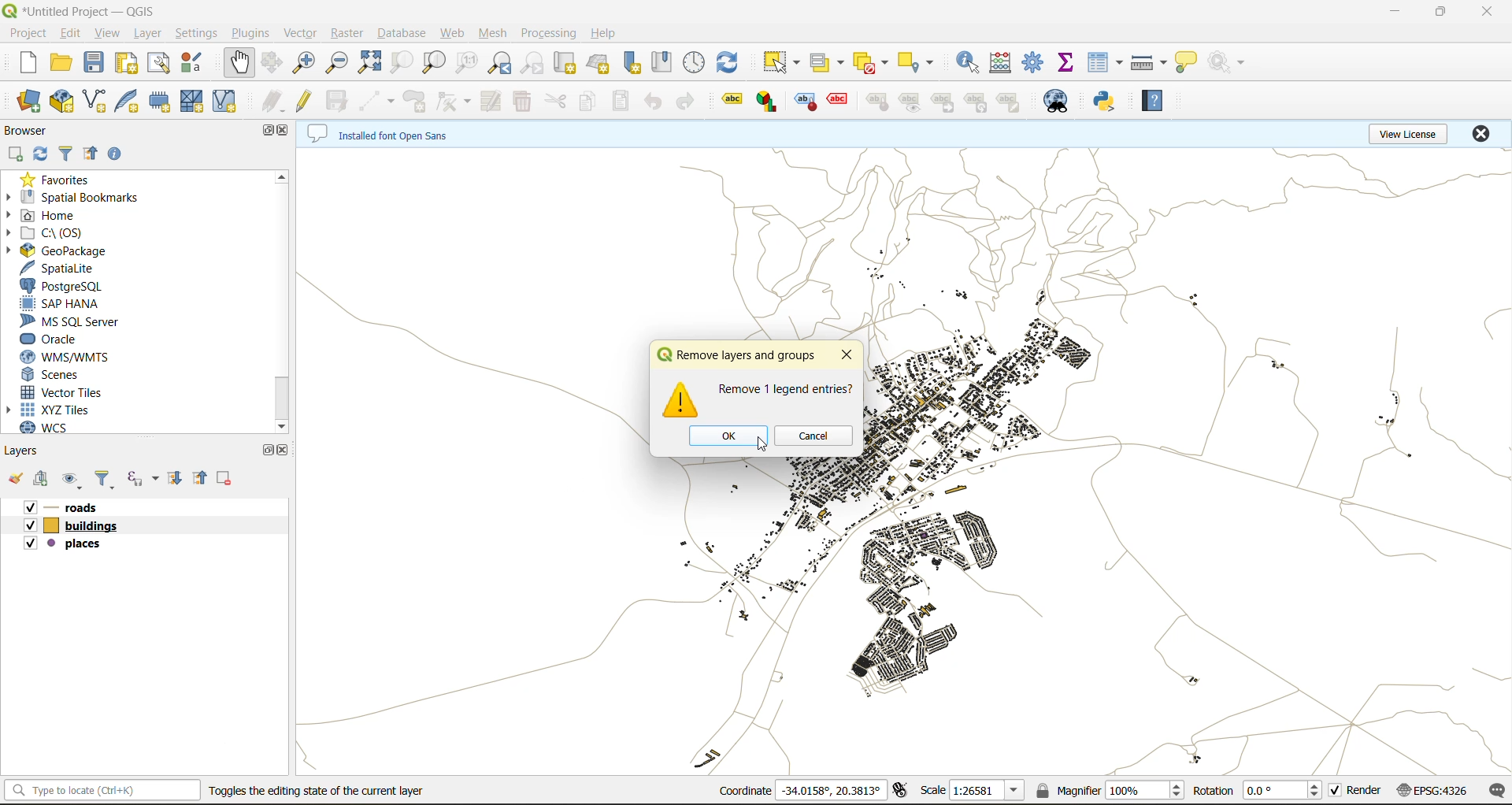 This screenshot has height=805, width=1512. Describe the element at coordinates (70, 374) in the screenshot. I see `scenes` at that location.